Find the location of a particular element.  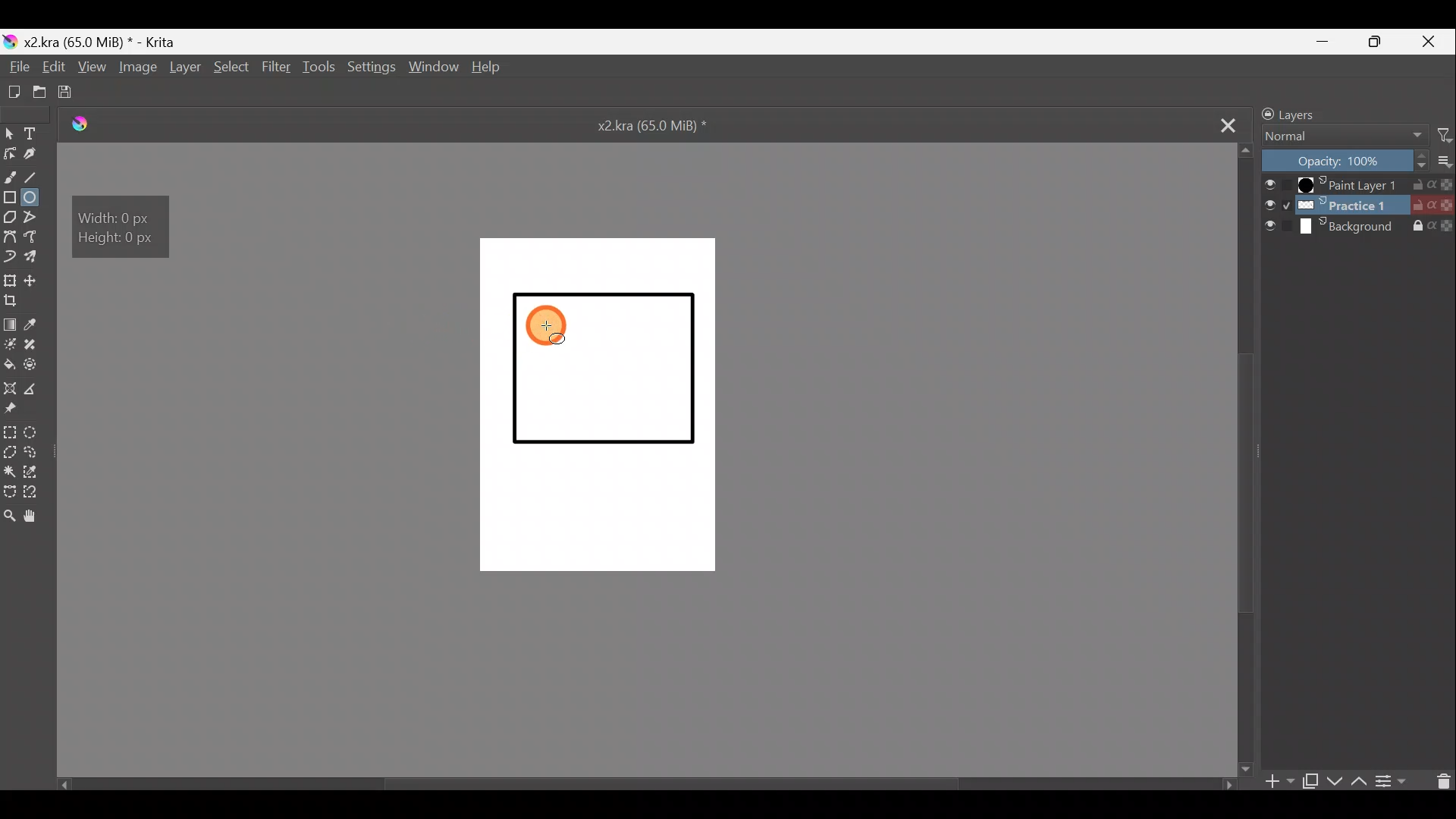

Open existing document is located at coordinates (39, 91).